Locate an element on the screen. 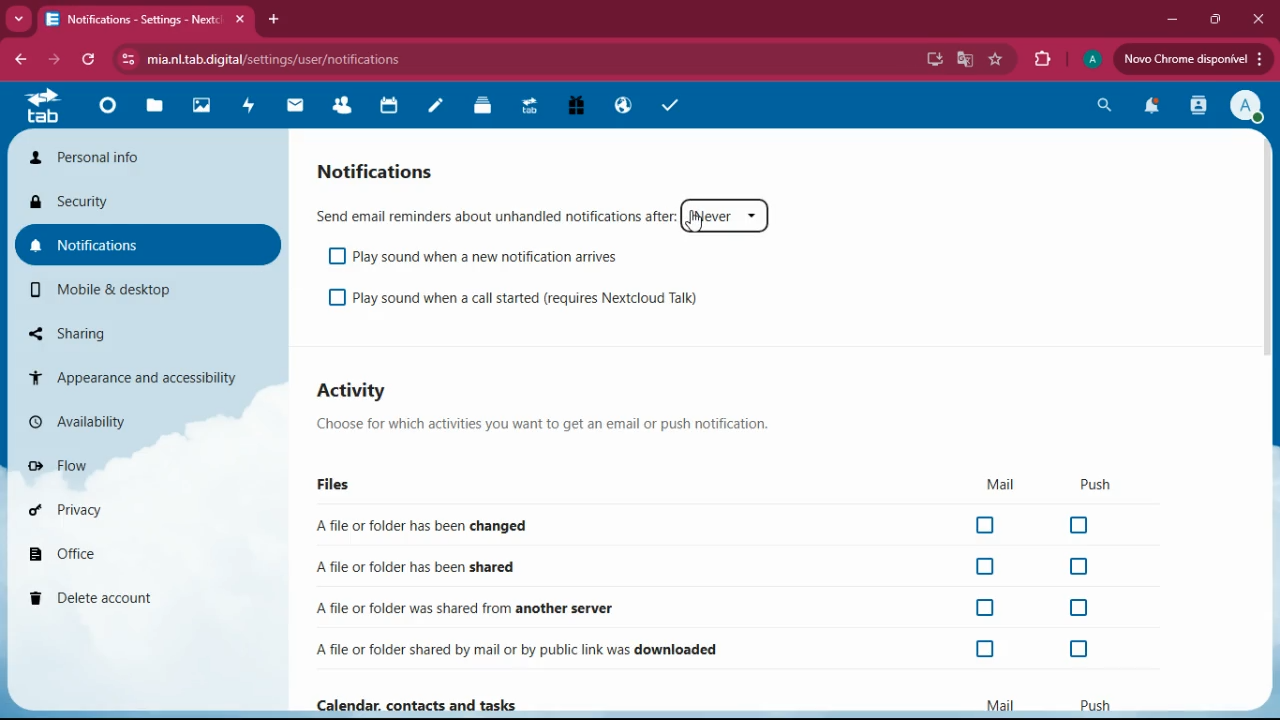 The image size is (1280, 720). personal info is located at coordinates (148, 156).